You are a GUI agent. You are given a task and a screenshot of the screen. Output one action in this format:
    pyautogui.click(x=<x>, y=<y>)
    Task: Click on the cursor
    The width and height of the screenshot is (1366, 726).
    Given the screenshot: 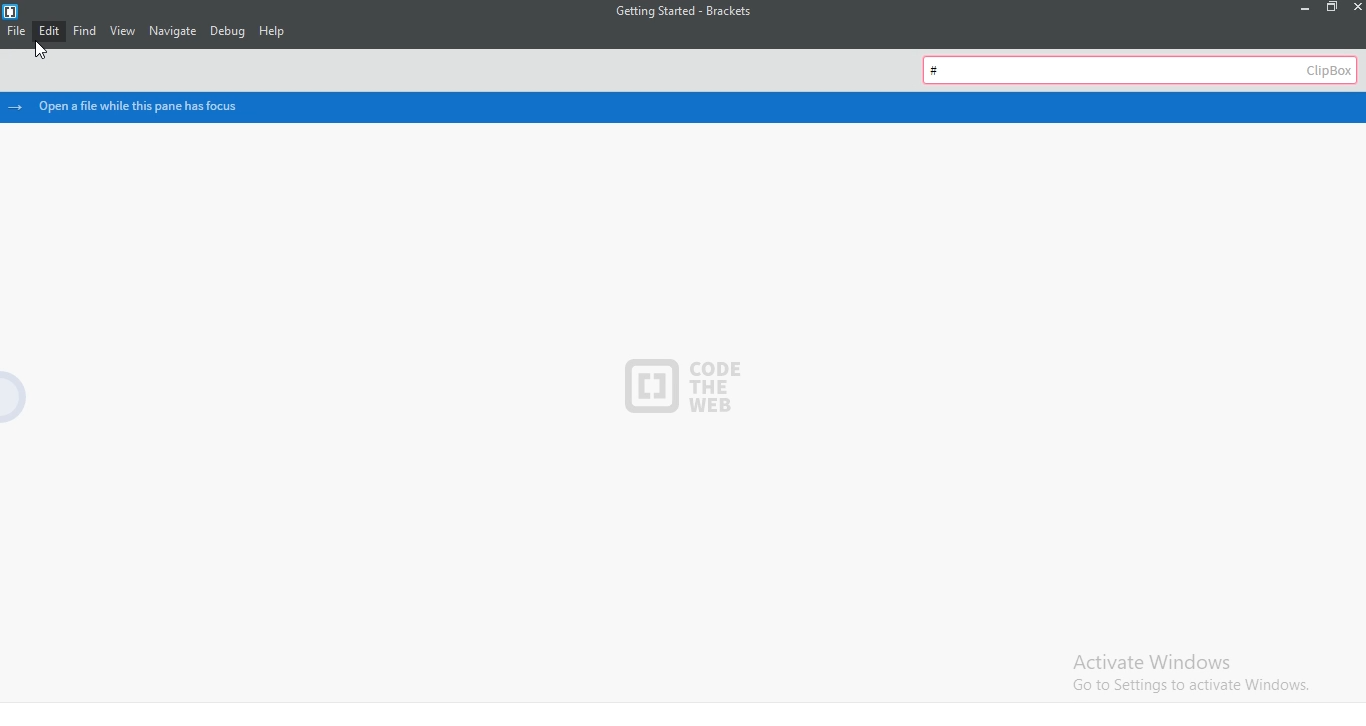 What is the action you would take?
    pyautogui.click(x=40, y=55)
    